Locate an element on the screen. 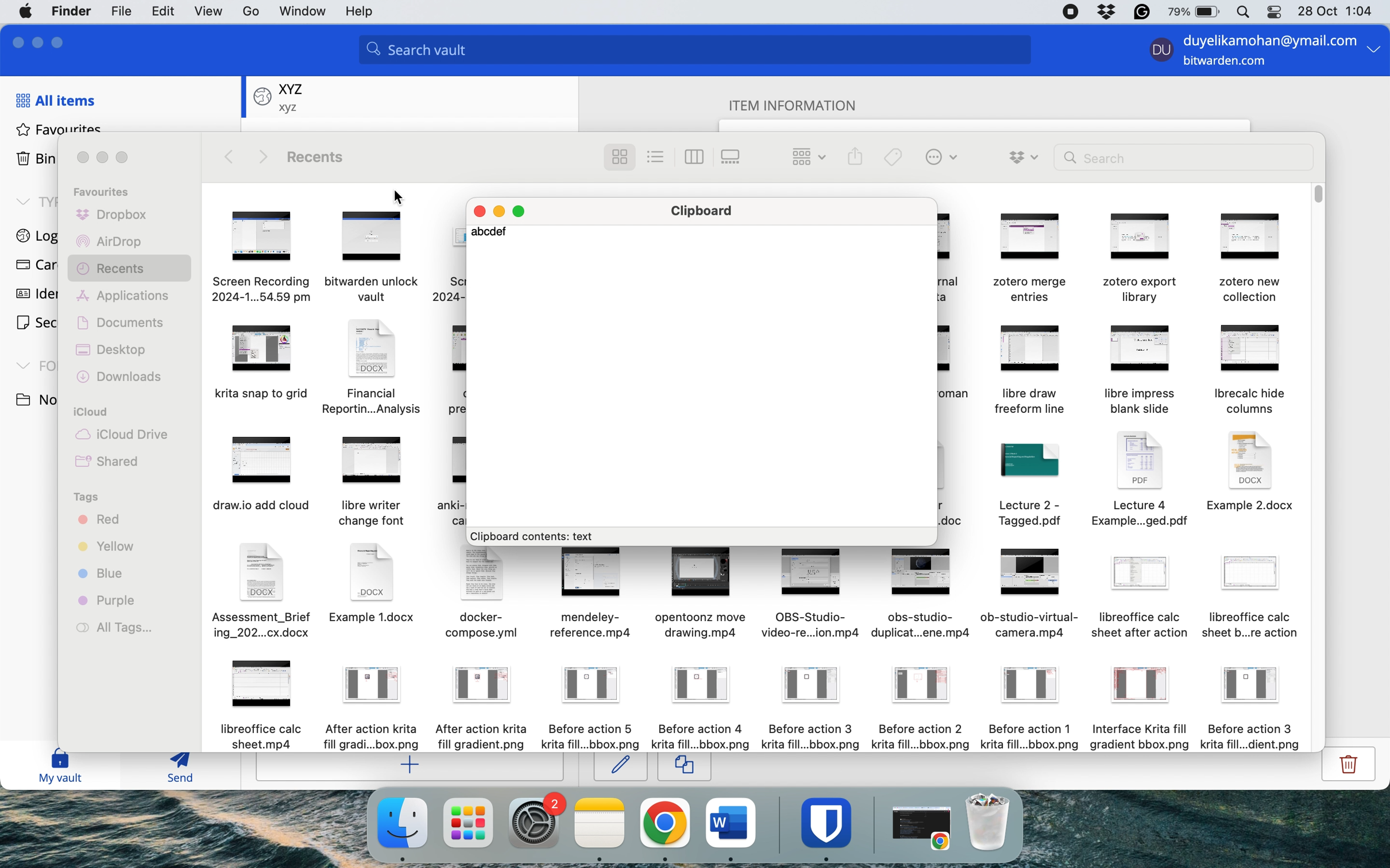 The width and height of the screenshot is (1390, 868). clipboard contents:text is located at coordinates (539, 536).